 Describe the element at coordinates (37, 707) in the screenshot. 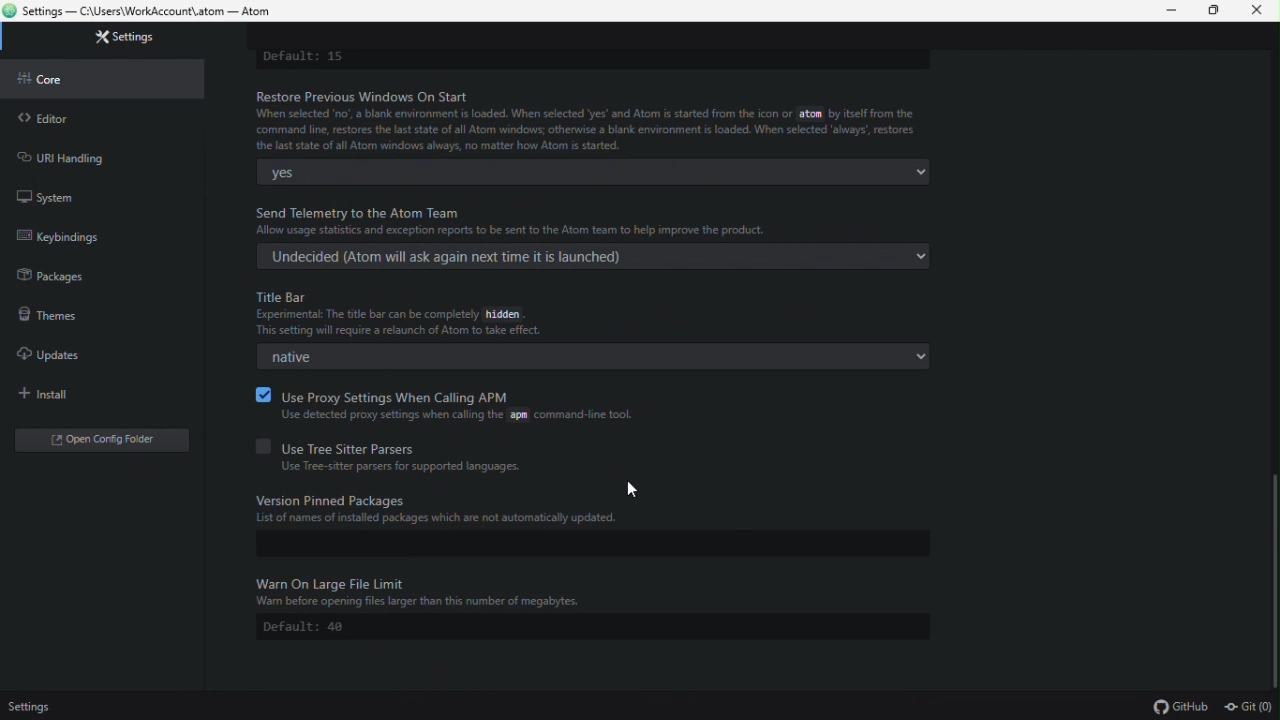

I see `Settings` at that location.